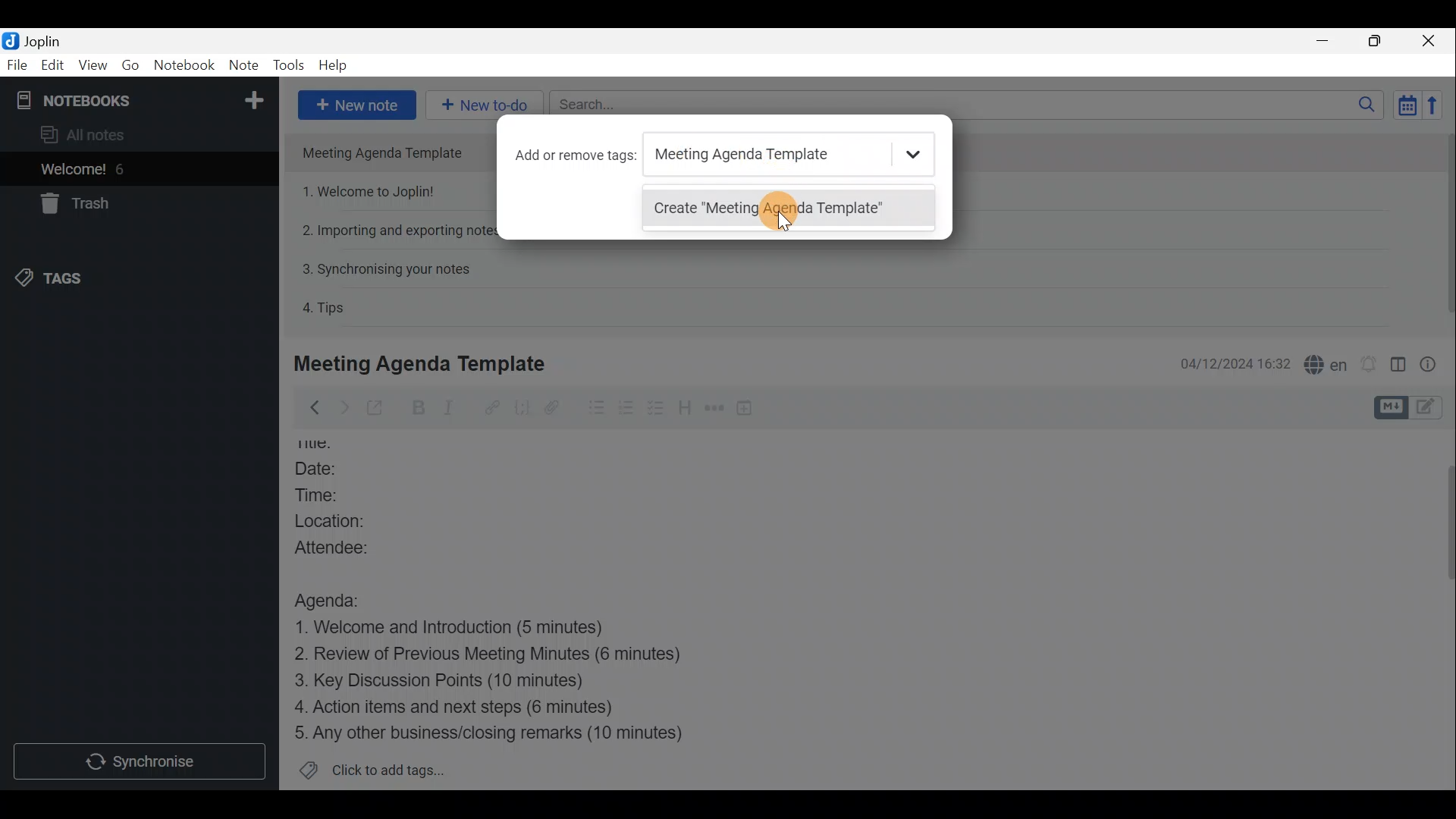  What do you see at coordinates (1429, 409) in the screenshot?
I see `Toggle editors` at bounding box center [1429, 409].